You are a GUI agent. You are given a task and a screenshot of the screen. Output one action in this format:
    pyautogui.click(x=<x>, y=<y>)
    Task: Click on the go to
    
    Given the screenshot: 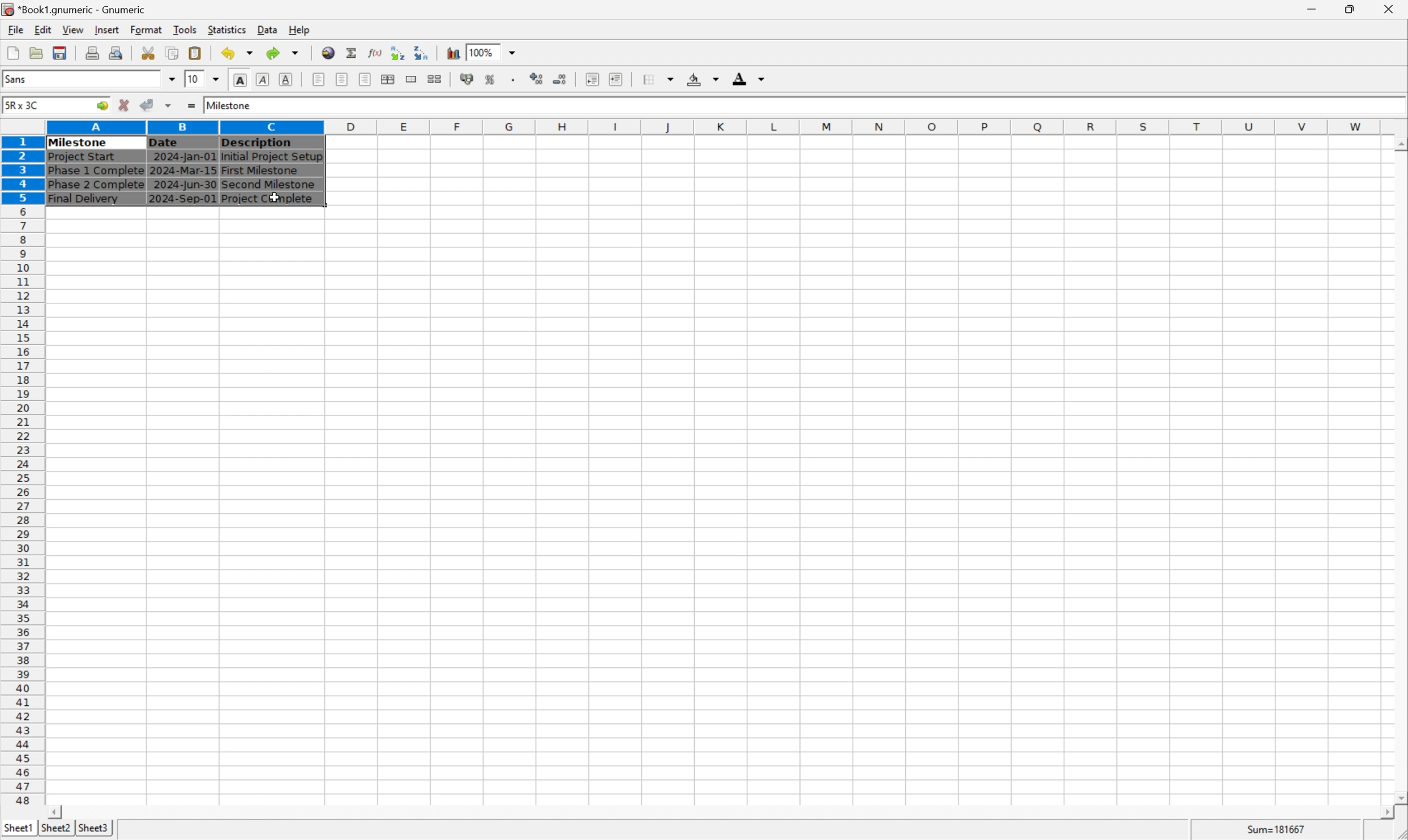 What is the action you would take?
    pyautogui.click(x=100, y=106)
    